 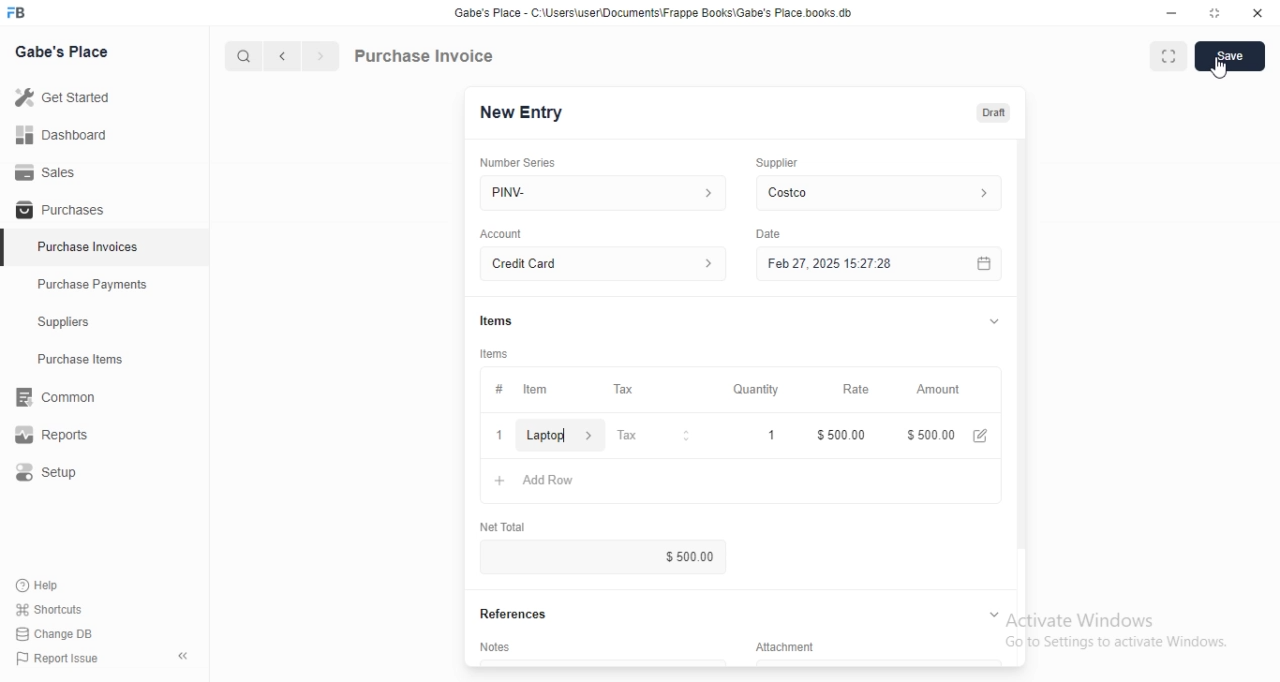 I want to click on Credit Card, so click(x=603, y=263).